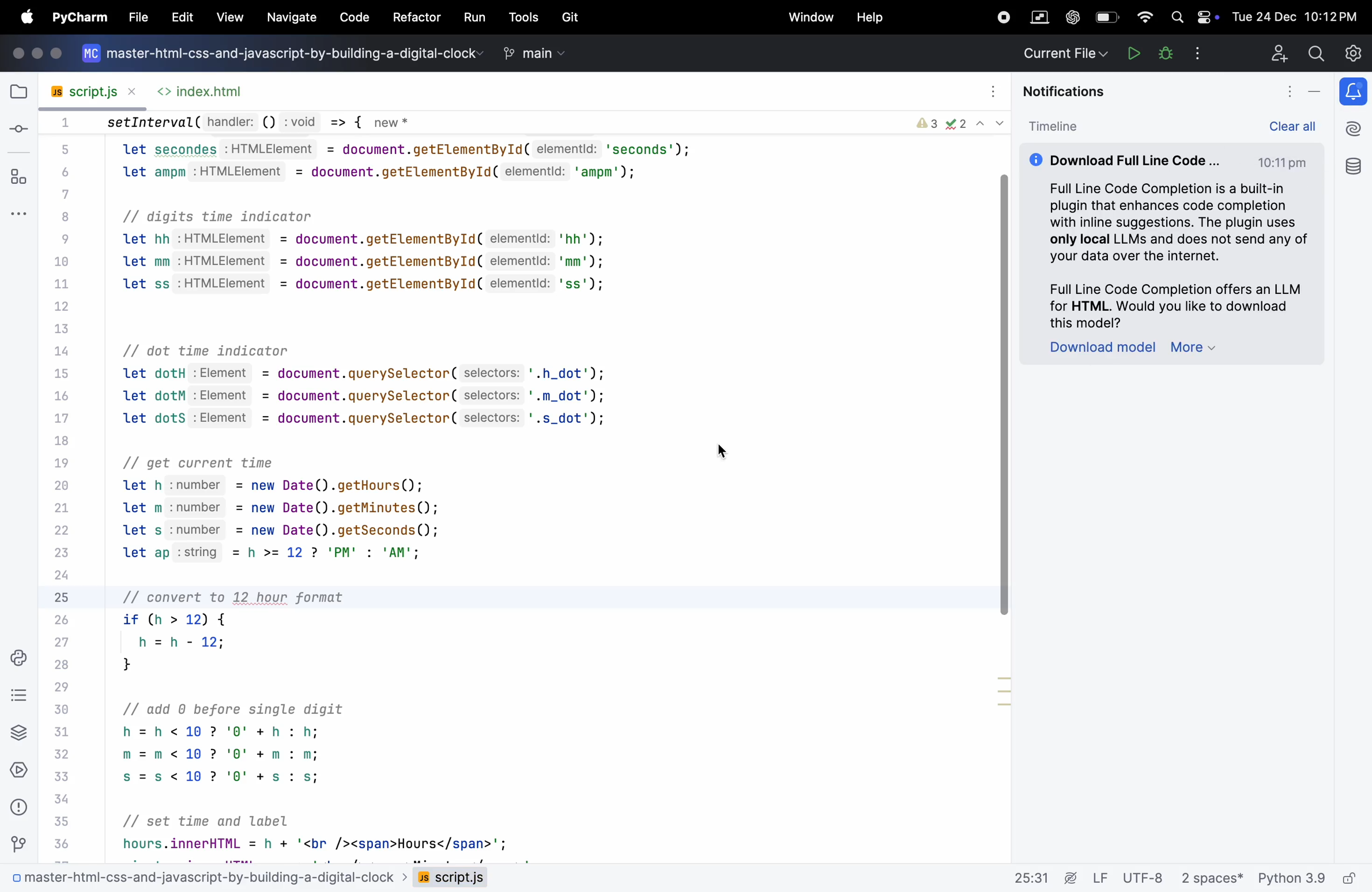  What do you see at coordinates (138, 14) in the screenshot?
I see `file` at bounding box center [138, 14].